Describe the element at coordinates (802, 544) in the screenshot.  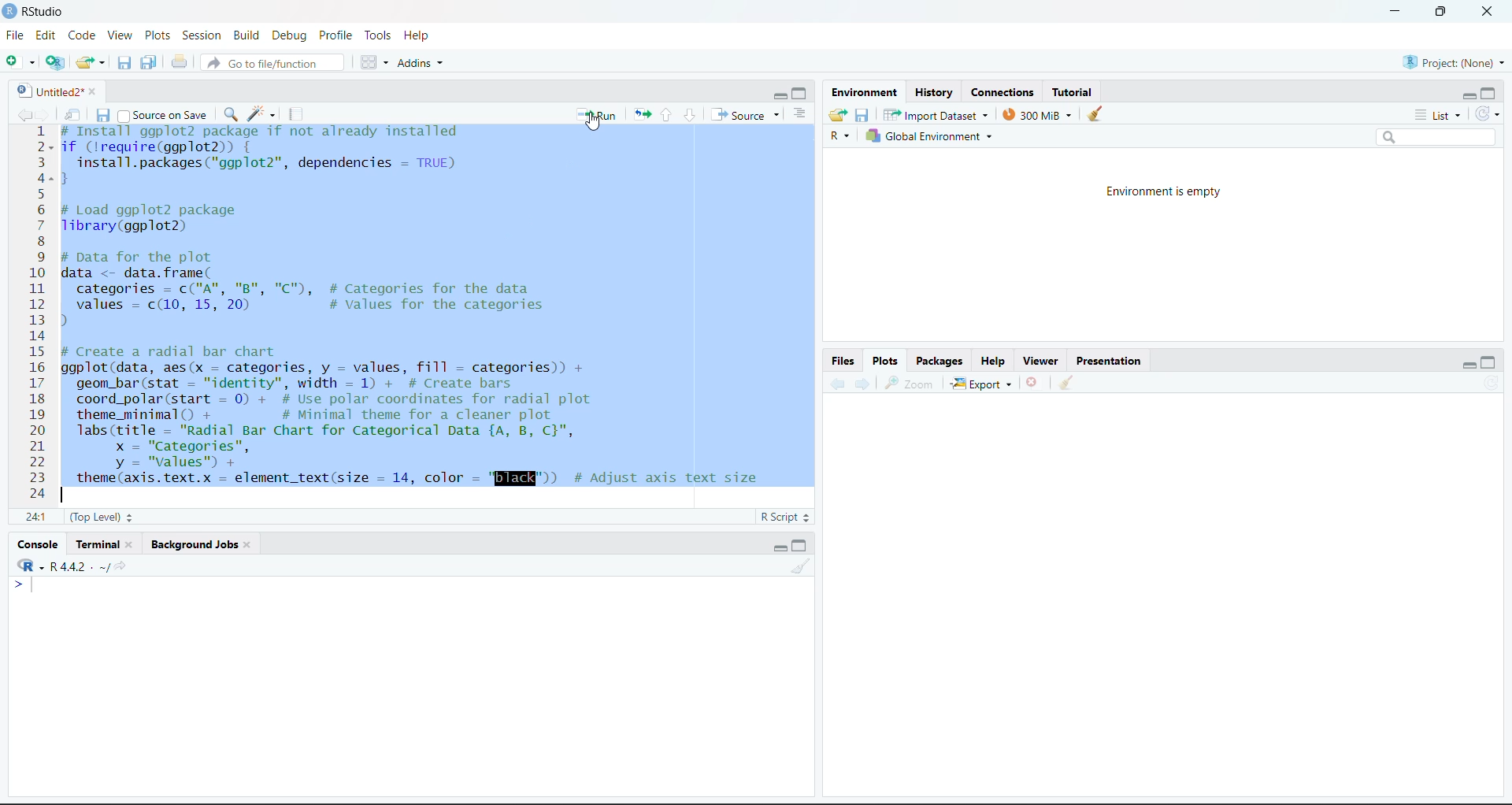
I see `hide console` at that location.